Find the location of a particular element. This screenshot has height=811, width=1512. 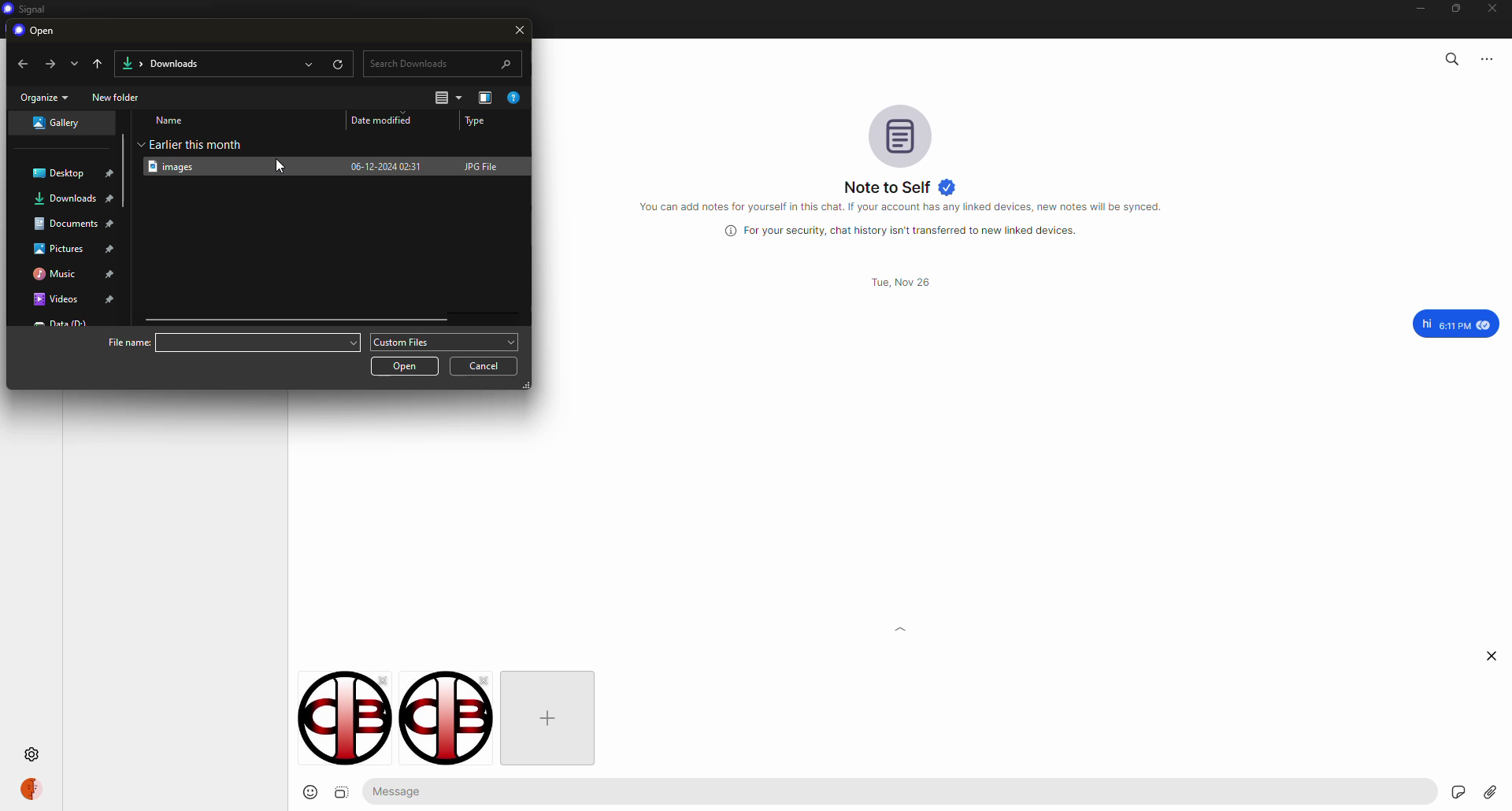

image is located at coordinates (177, 166).